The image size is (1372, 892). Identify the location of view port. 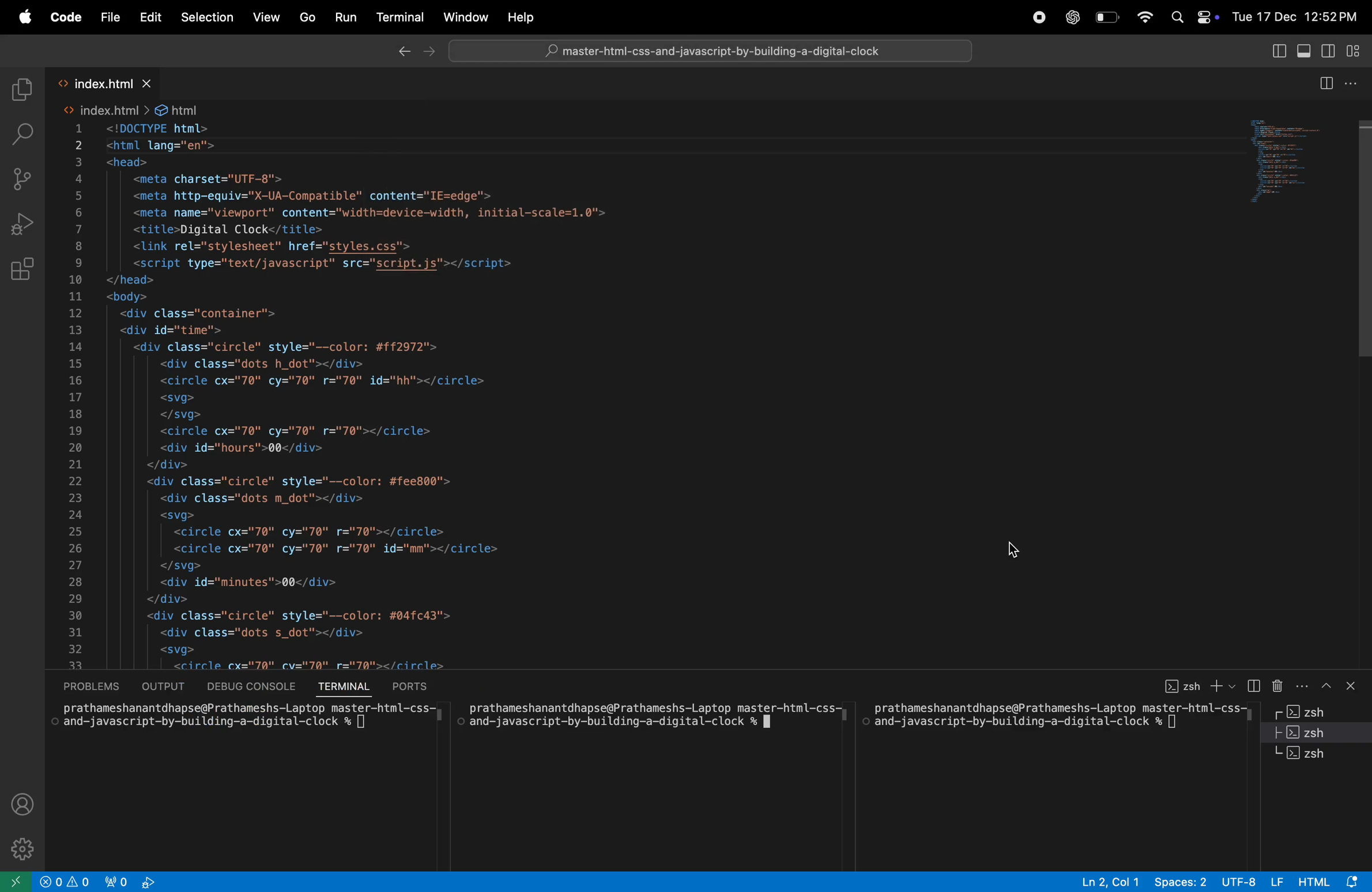
(138, 882).